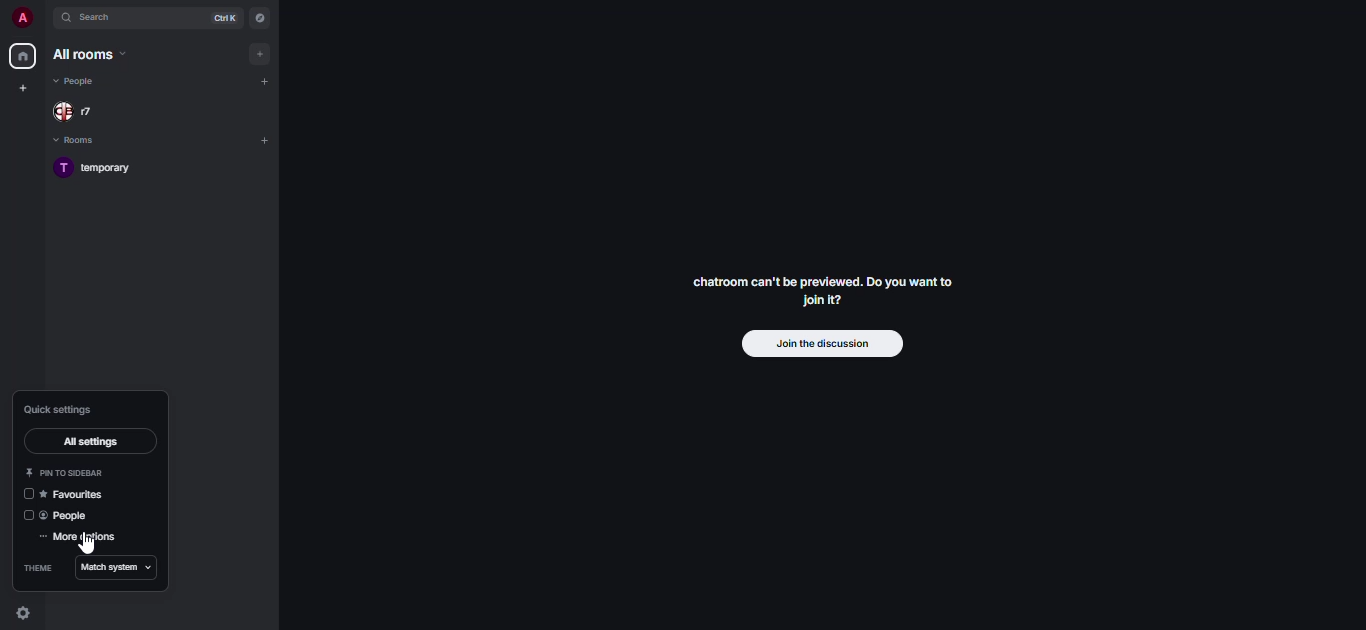 This screenshot has width=1366, height=630. What do you see at coordinates (121, 568) in the screenshot?
I see `match system` at bounding box center [121, 568].